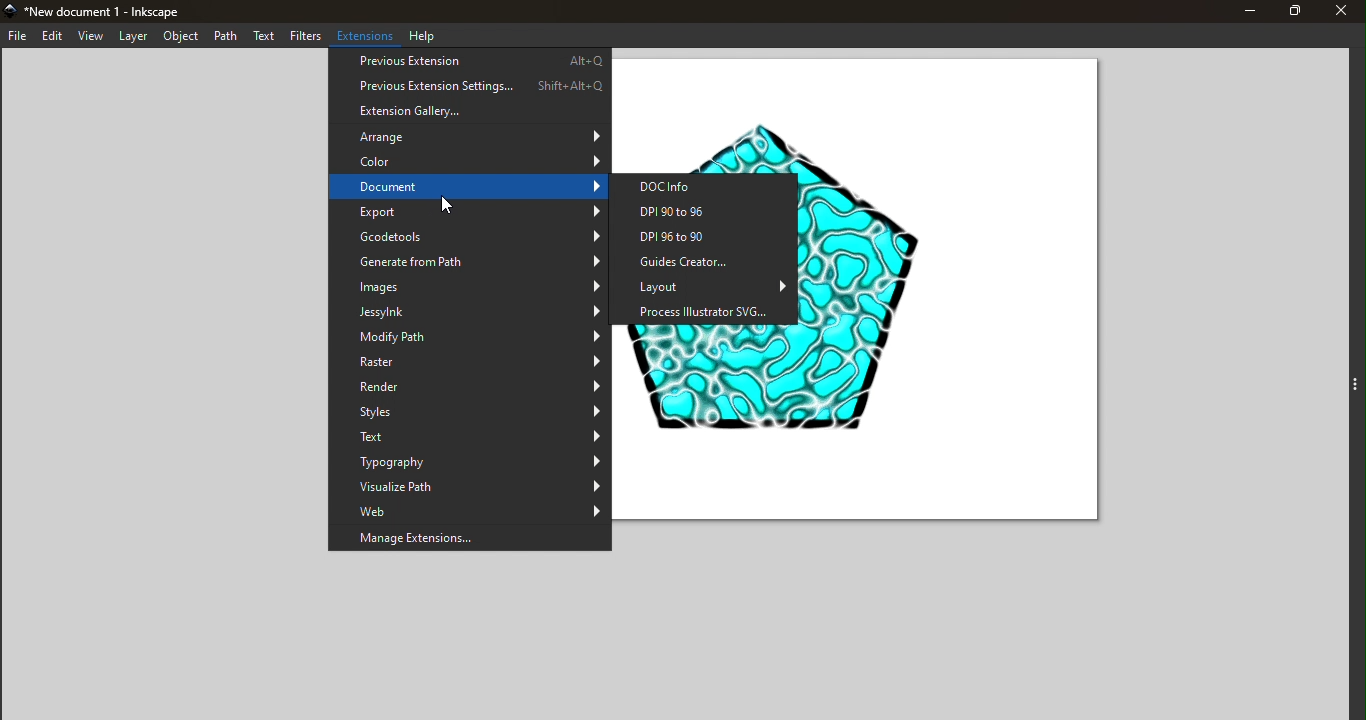  Describe the element at coordinates (469, 160) in the screenshot. I see `Color` at that location.